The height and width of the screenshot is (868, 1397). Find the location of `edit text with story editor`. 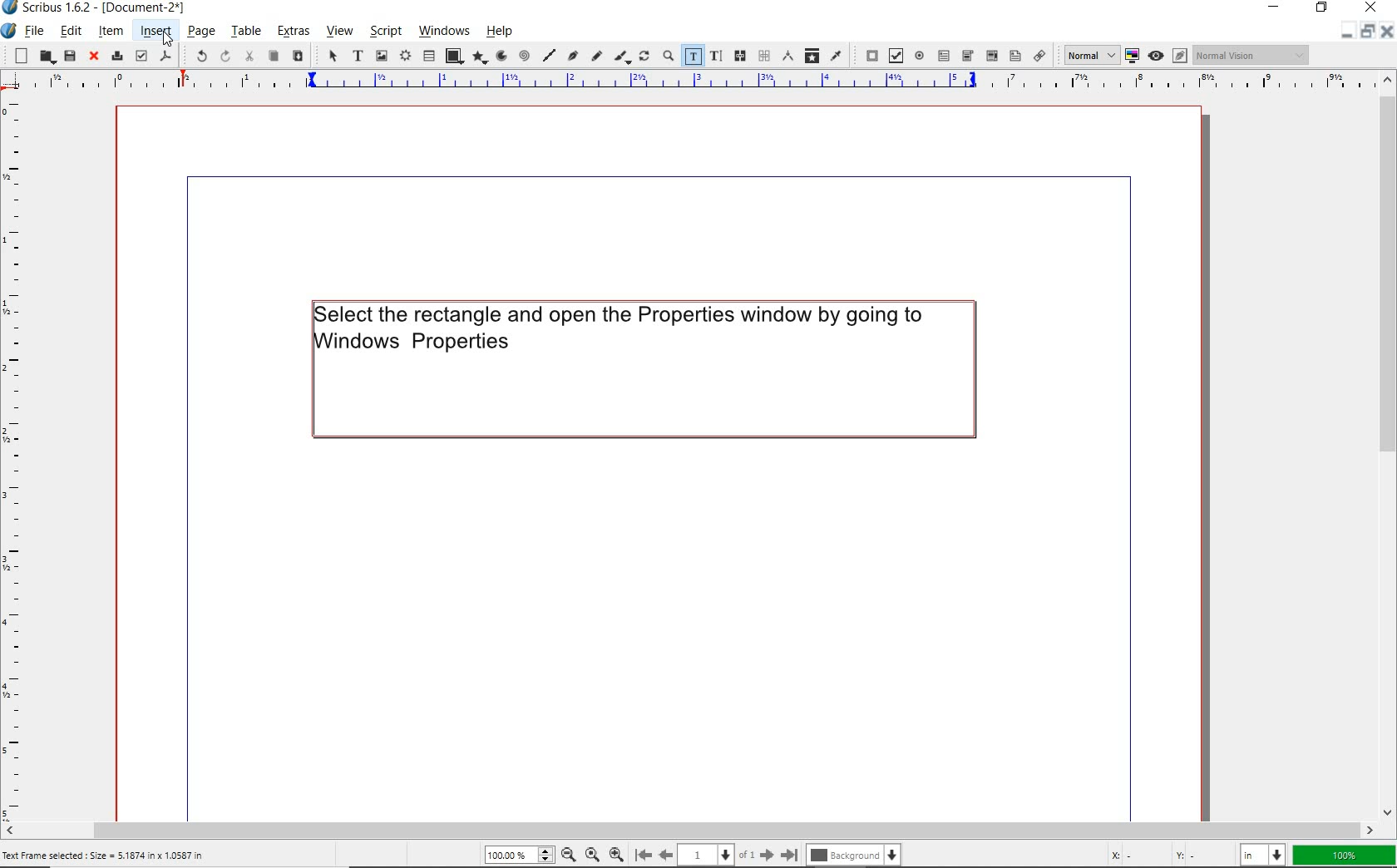

edit text with story editor is located at coordinates (715, 55).